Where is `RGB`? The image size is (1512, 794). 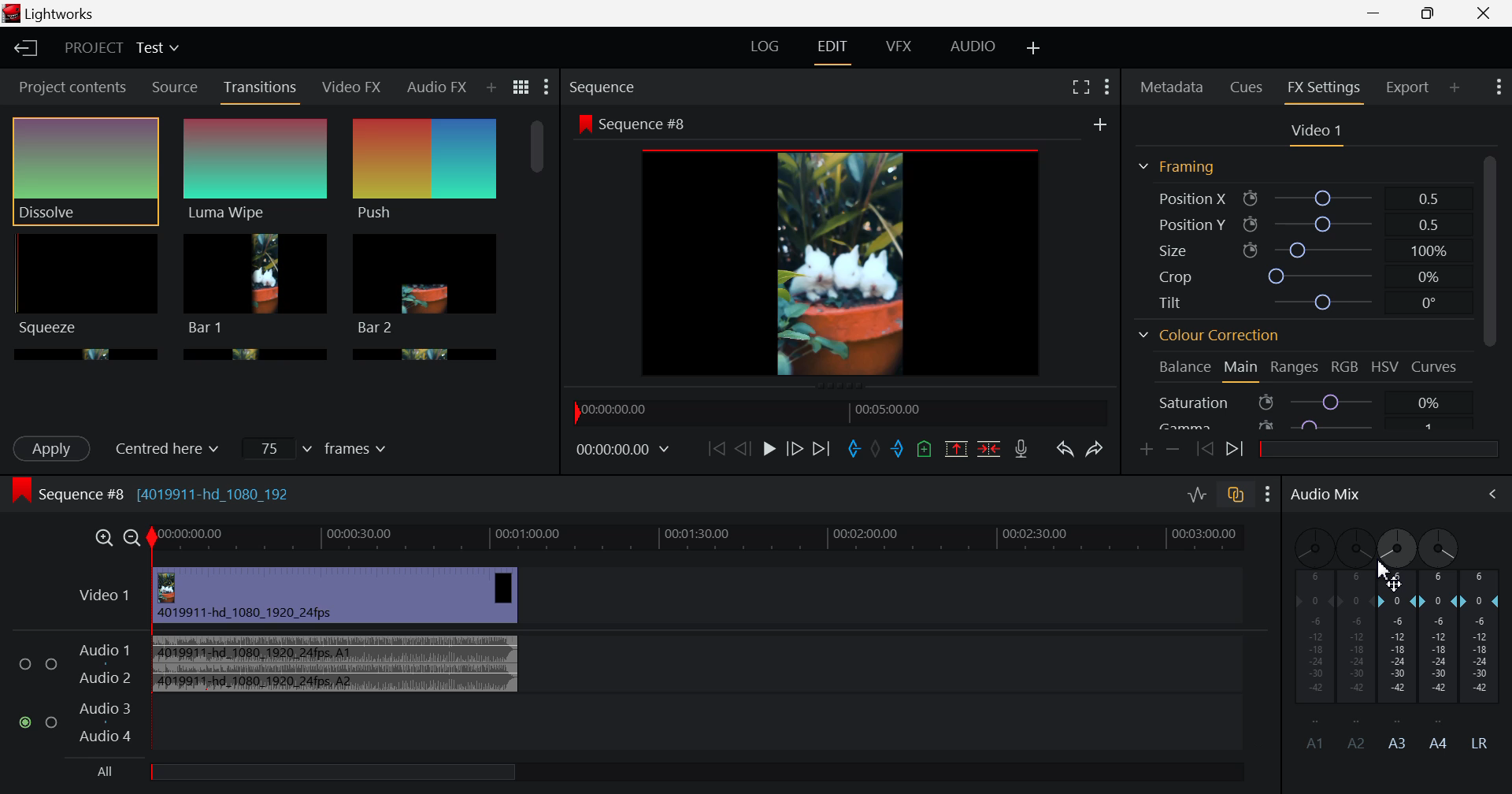 RGB is located at coordinates (1347, 367).